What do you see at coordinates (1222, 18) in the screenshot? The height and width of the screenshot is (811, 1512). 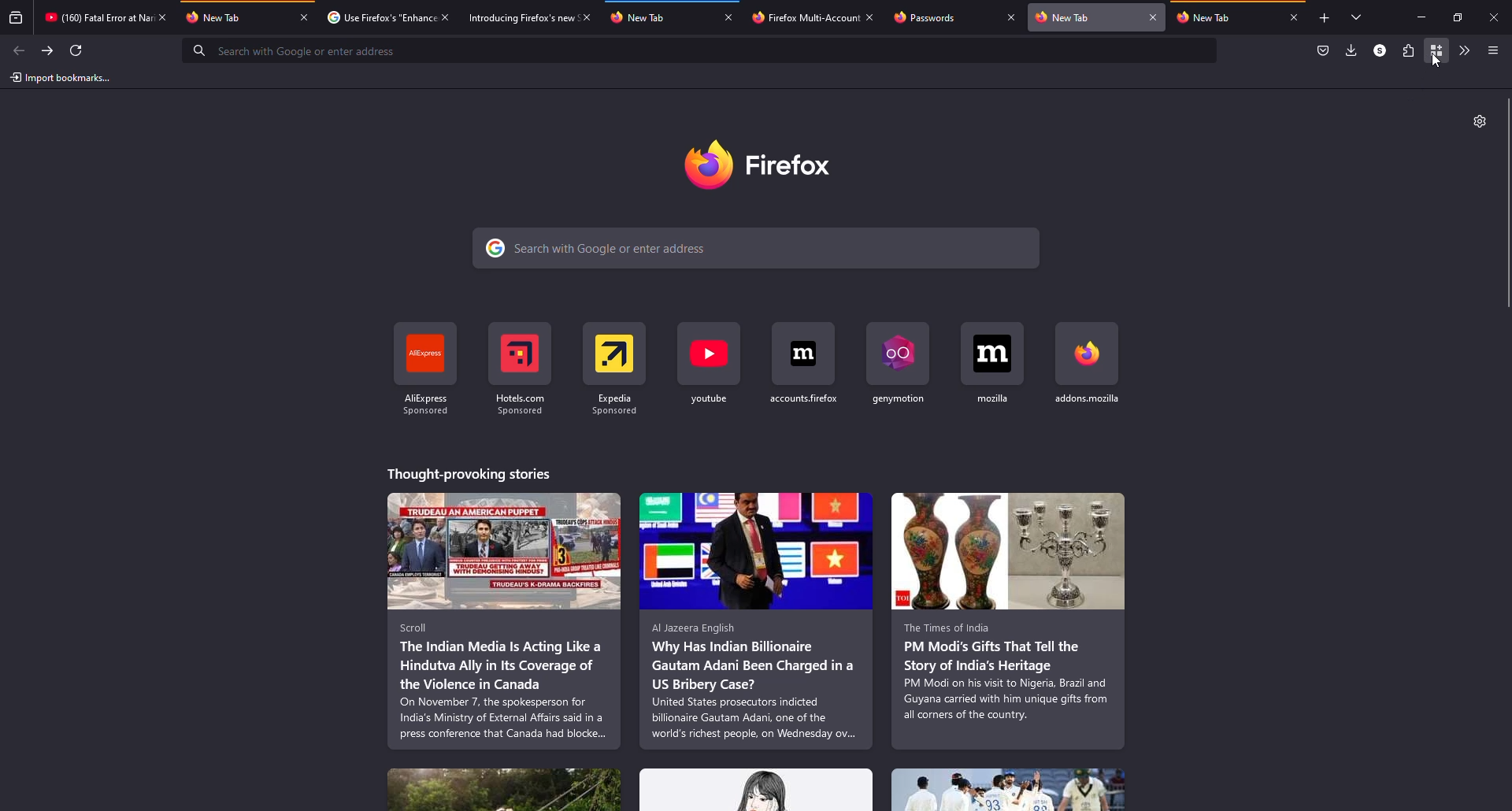 I see `tab` at bounding box center [1222, 18].